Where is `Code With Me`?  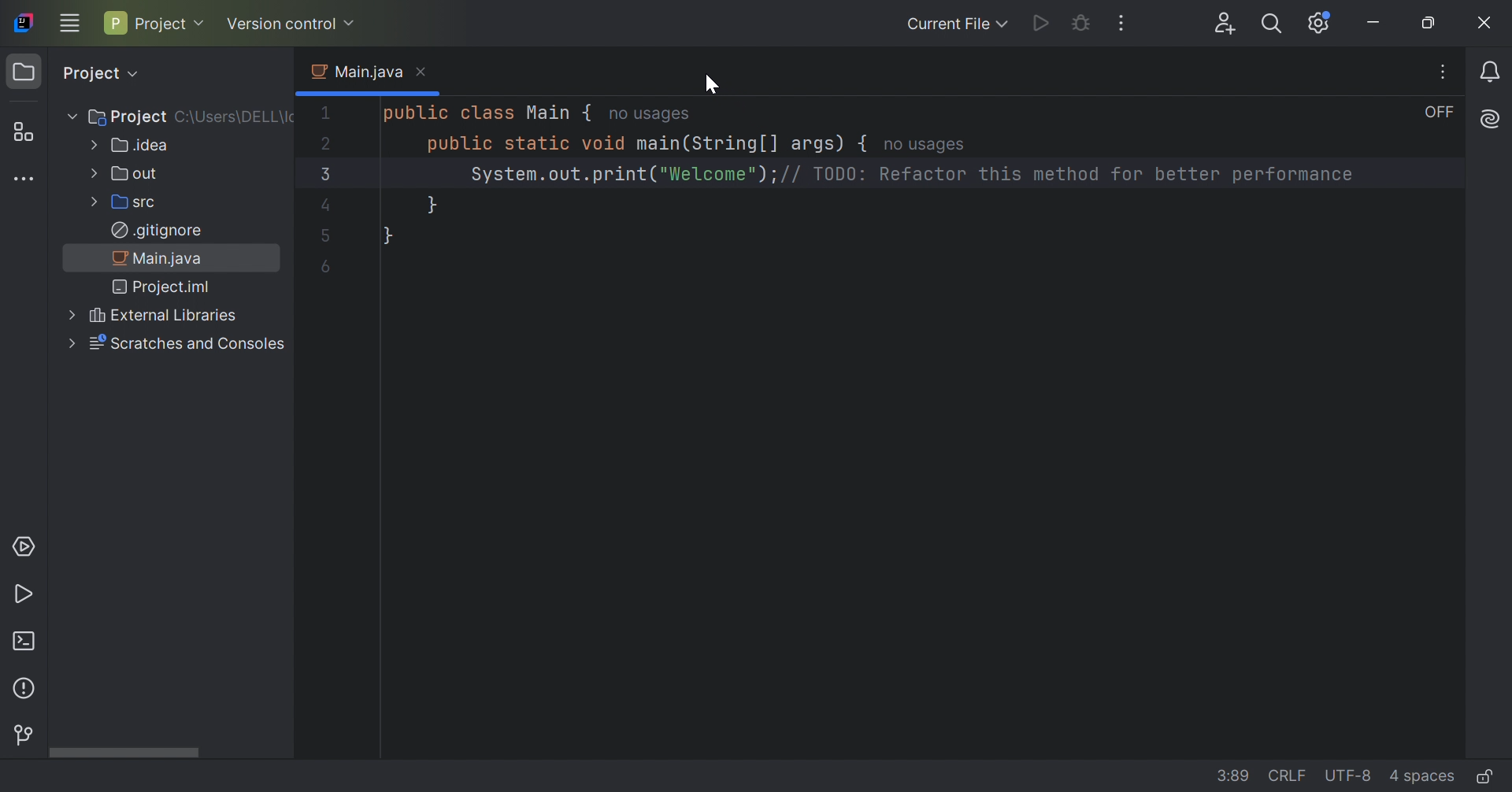
Code With Me is located at coordinates (1228, 25).